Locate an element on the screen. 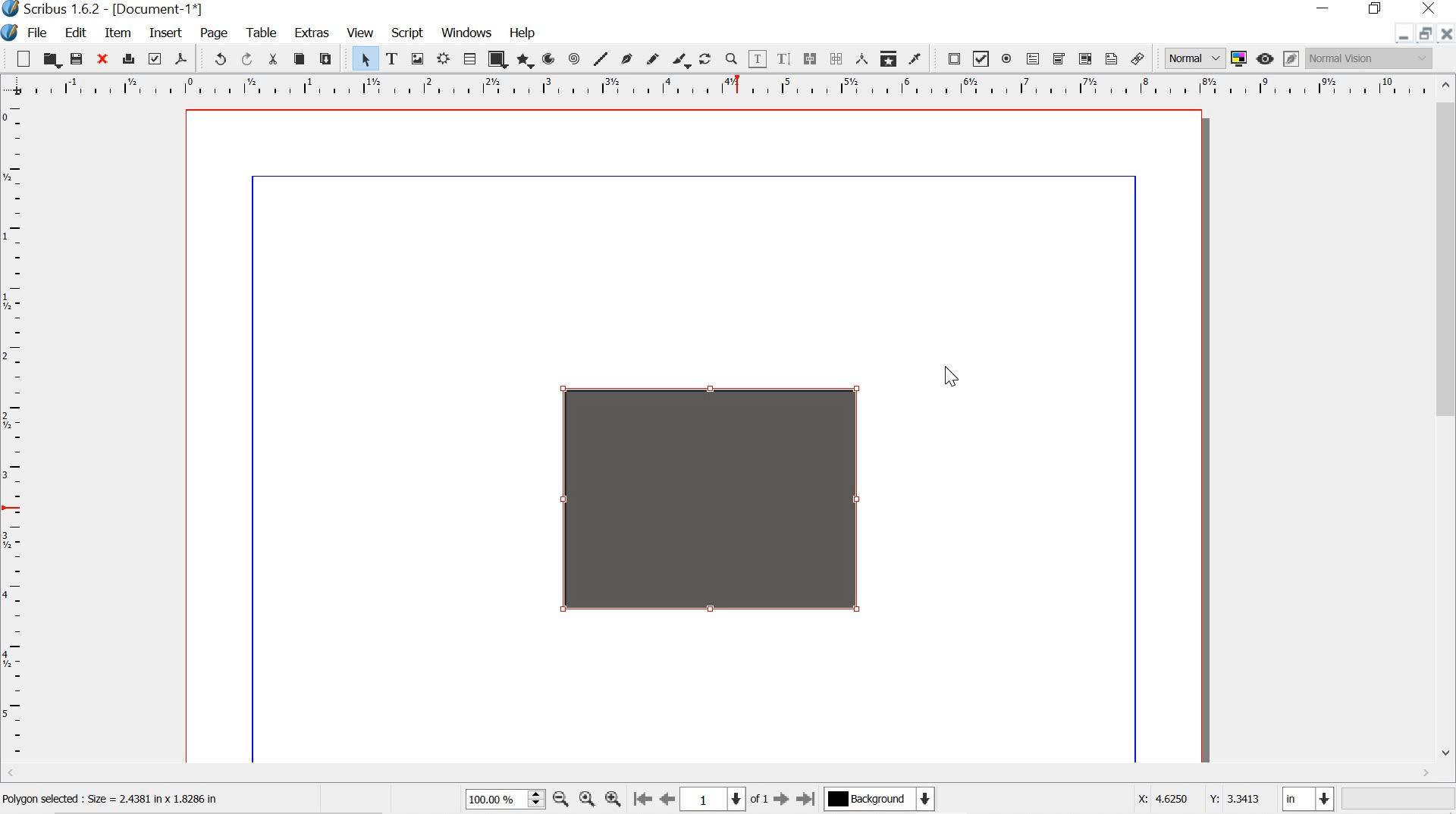  freehand line is located at coordinates (653, 59).